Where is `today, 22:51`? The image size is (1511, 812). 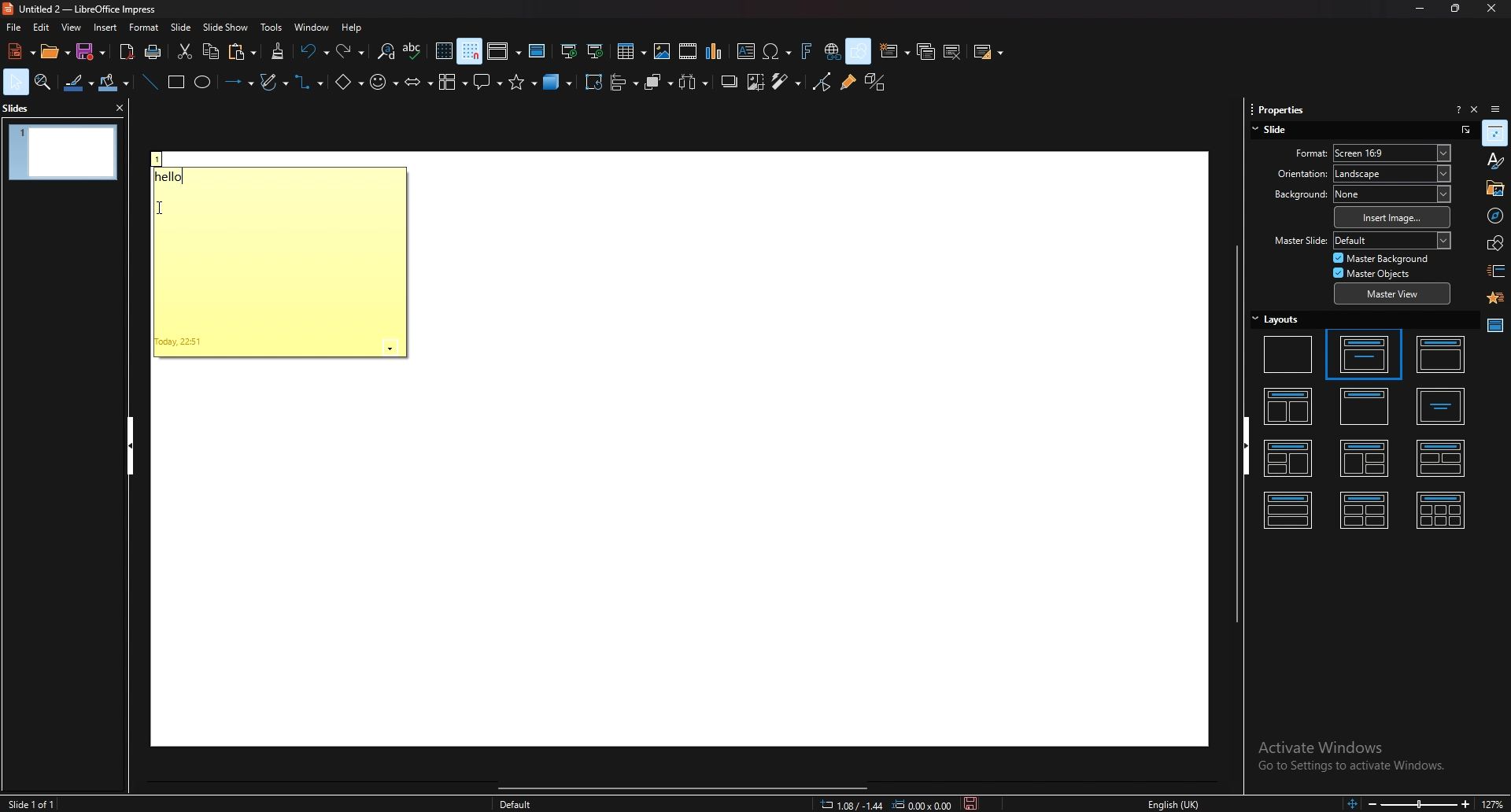
today, 22:51 is located at coordinates (180, 342).